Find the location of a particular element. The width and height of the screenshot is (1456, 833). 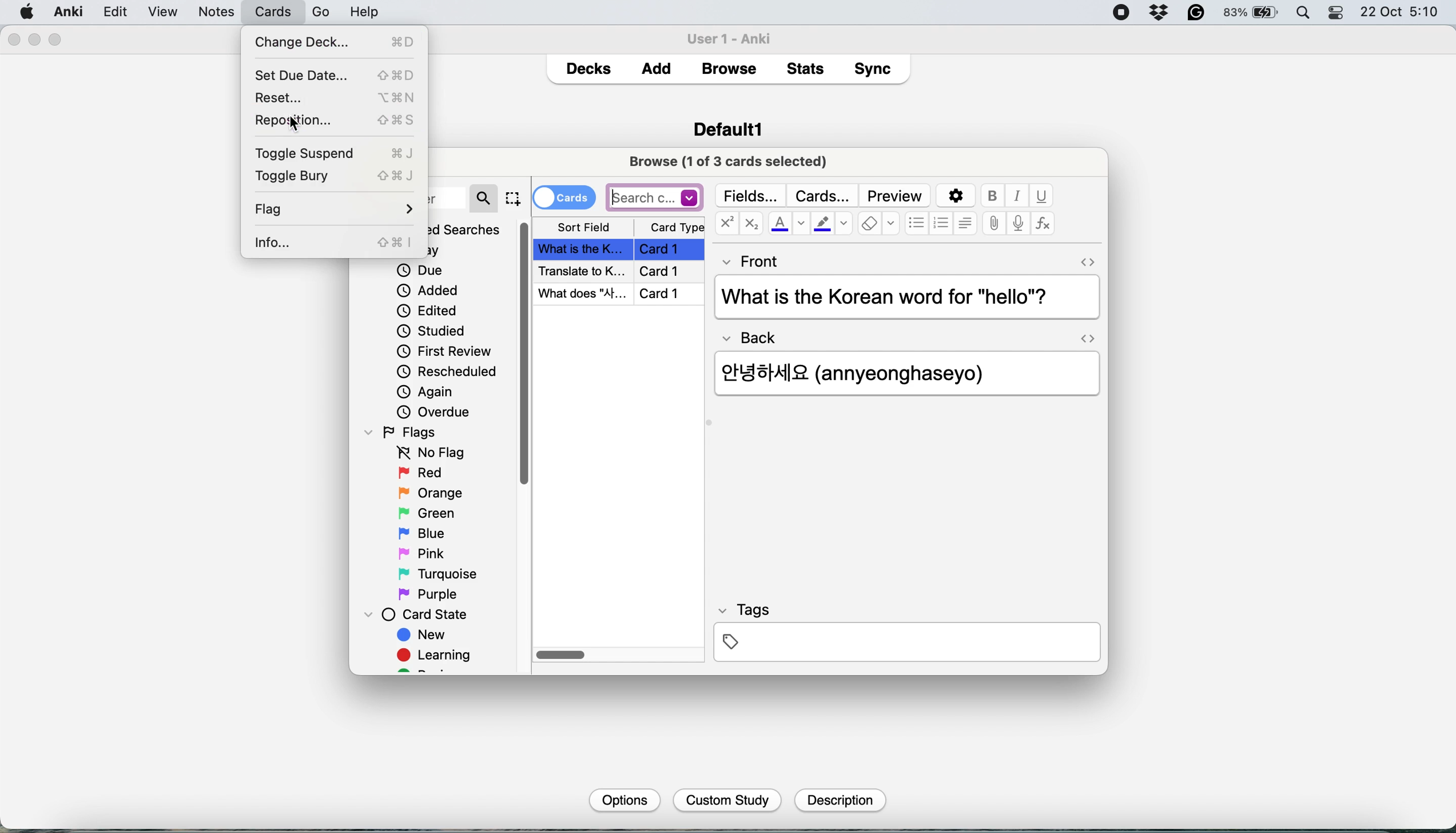

edit is located at coordinates (162, 13).